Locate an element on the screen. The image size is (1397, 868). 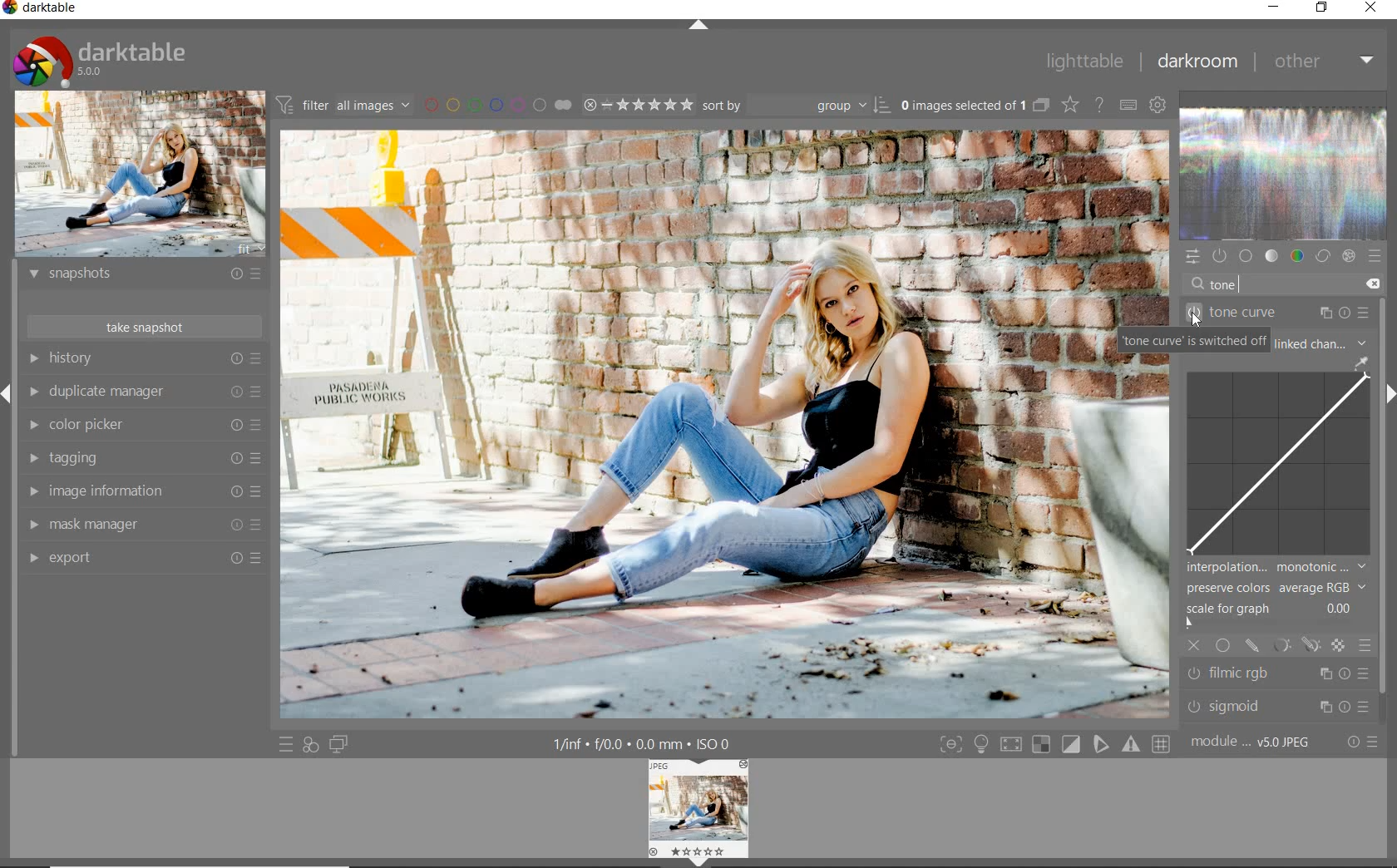
tagging is located at coordinates (144, 457).